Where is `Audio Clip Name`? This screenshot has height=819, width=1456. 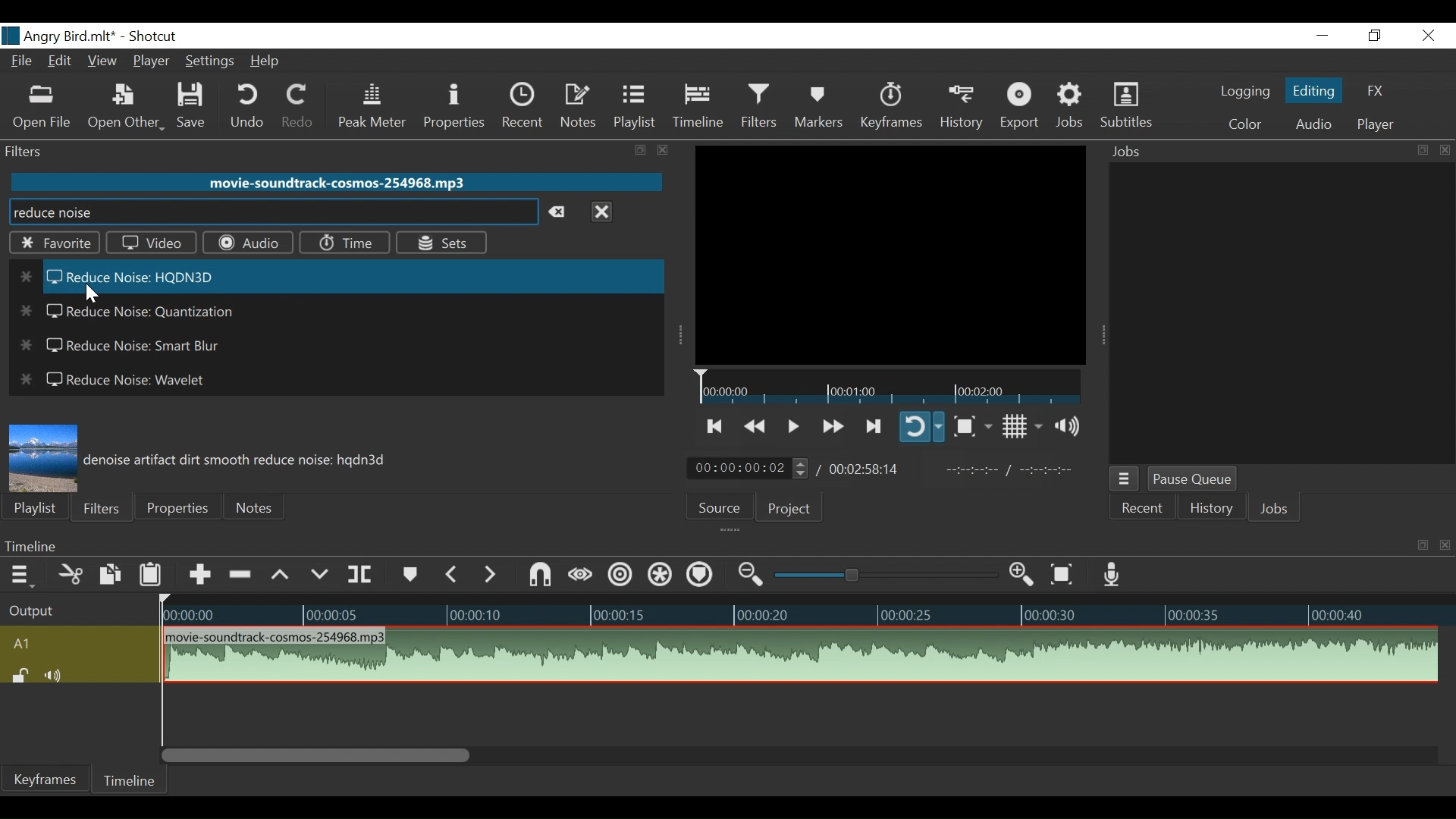
Audio Clip Name is located at coordinates (335, 182).